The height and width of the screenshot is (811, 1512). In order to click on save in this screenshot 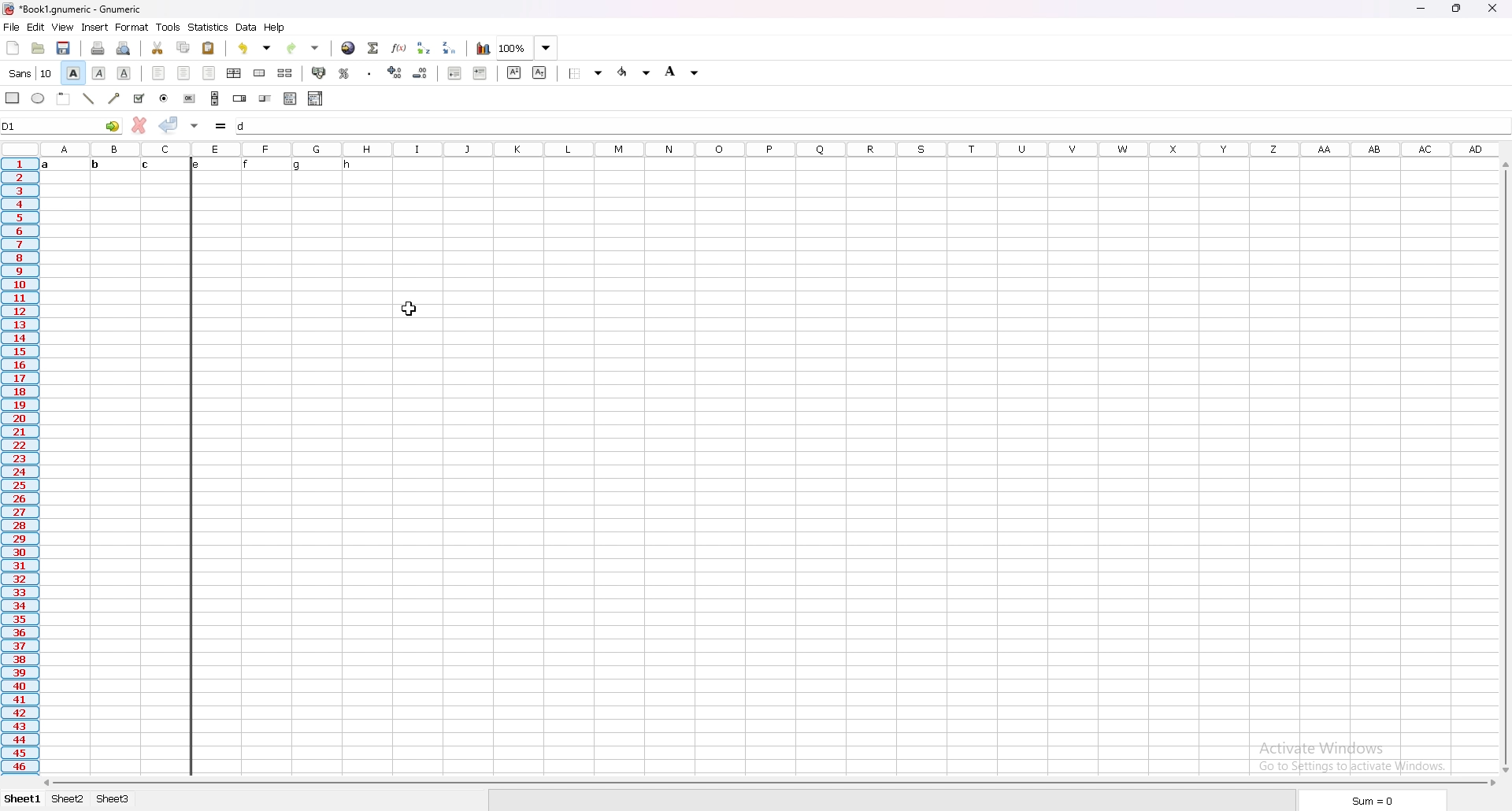, I will do `click(65, 48)`.